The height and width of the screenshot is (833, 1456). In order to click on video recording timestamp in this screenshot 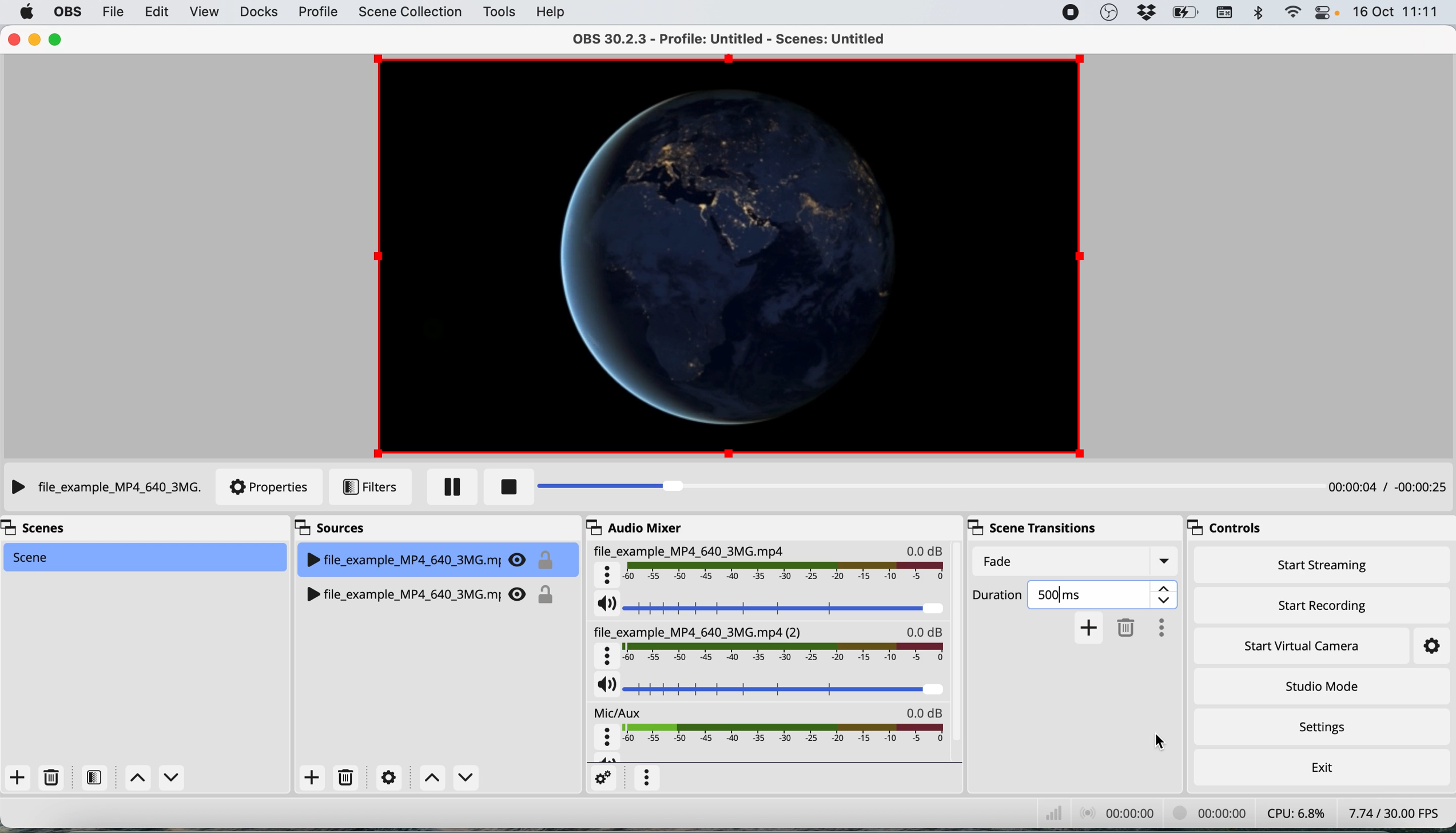, I will do `click(1204, 813)`.